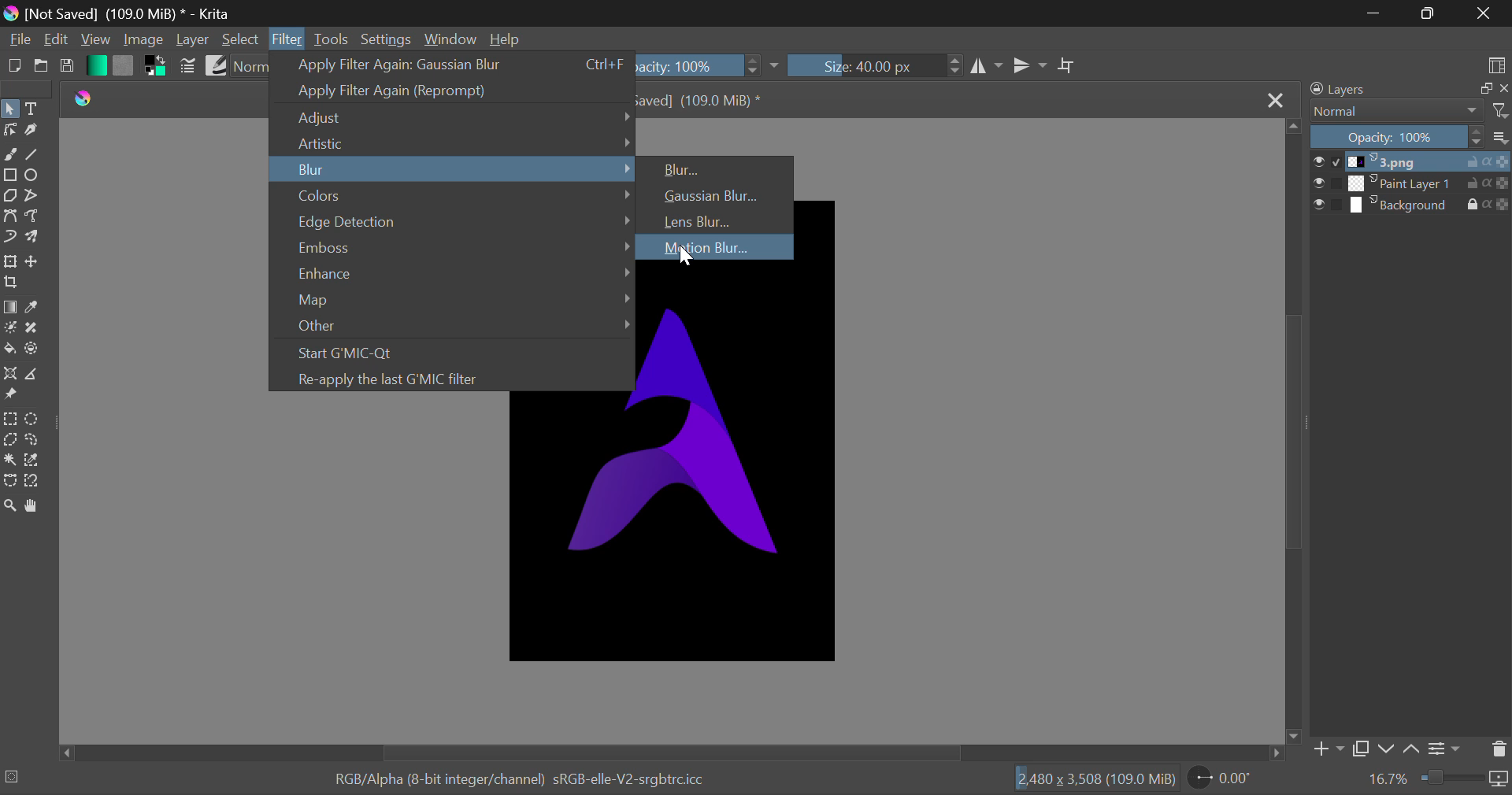 This screenshot has width=1512, height=795. Describe the element at coordinates (10, 108) in the screenshot. I see `Select` at that location.